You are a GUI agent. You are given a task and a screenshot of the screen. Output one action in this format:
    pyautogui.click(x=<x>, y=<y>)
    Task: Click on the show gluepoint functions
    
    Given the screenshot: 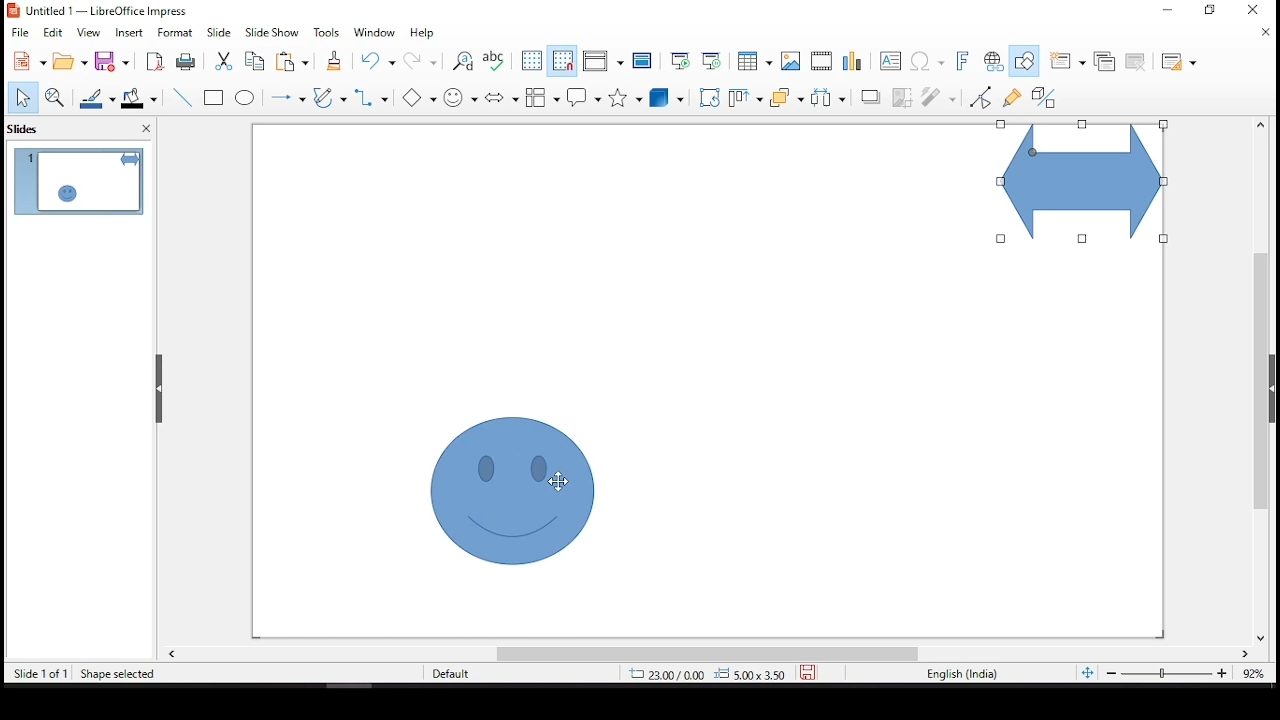 What is the action you would take?
    pyautogui.click(x=1011, y=96)
    